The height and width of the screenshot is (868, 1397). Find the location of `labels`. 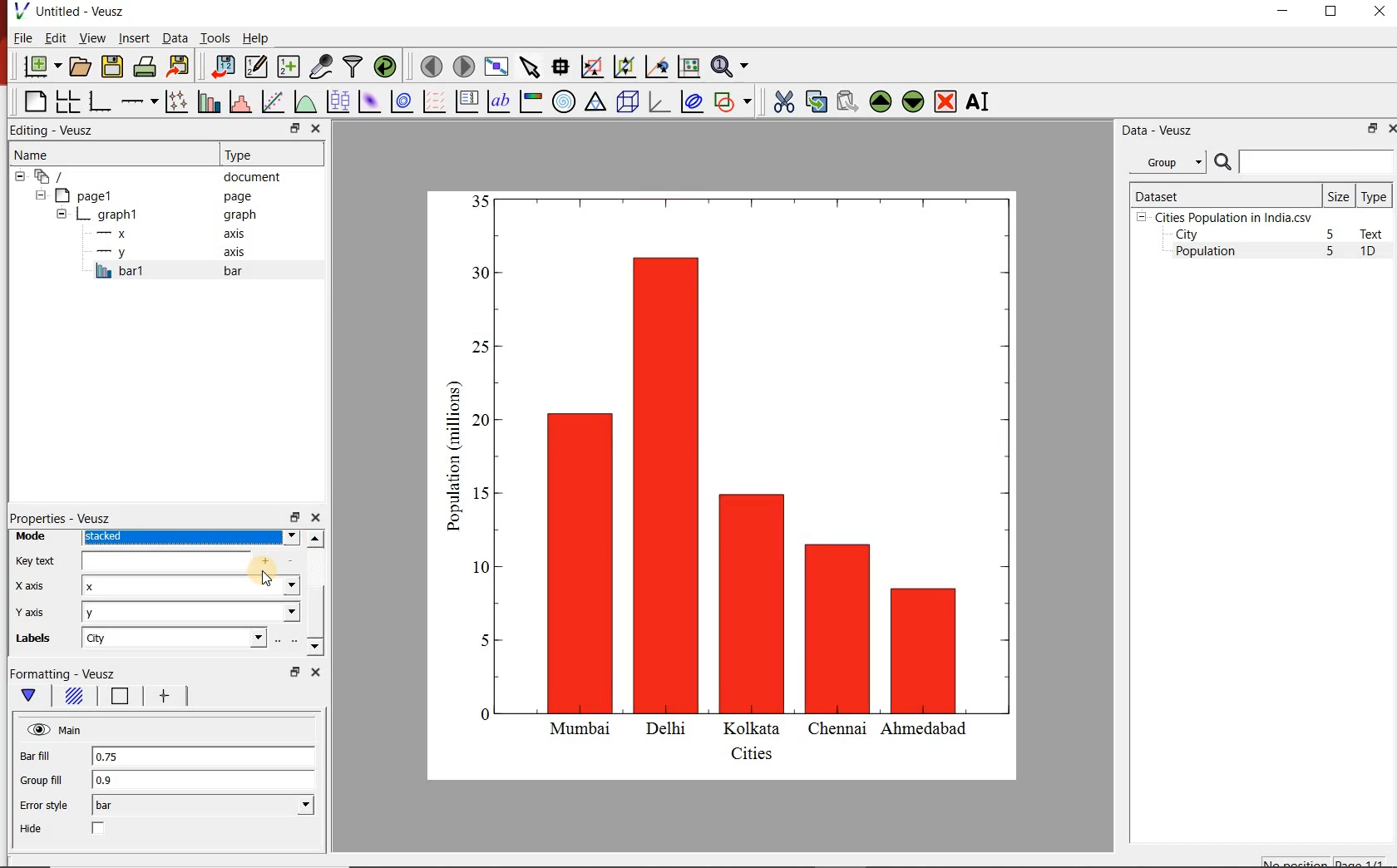

labels is located at coordinates (38, 641).